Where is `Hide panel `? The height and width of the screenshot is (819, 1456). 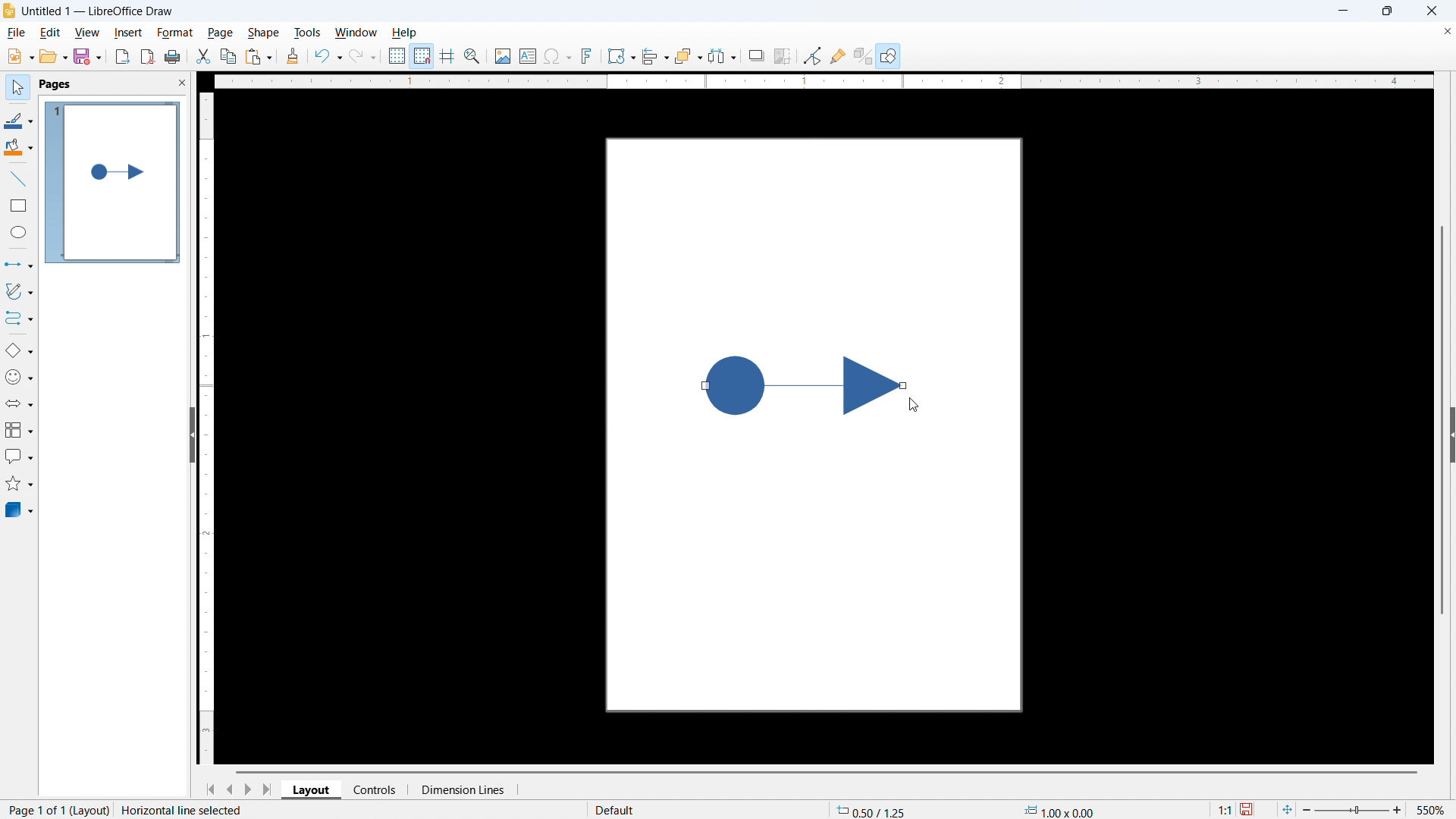 Hide panel  is located at coordinates (191, 432).